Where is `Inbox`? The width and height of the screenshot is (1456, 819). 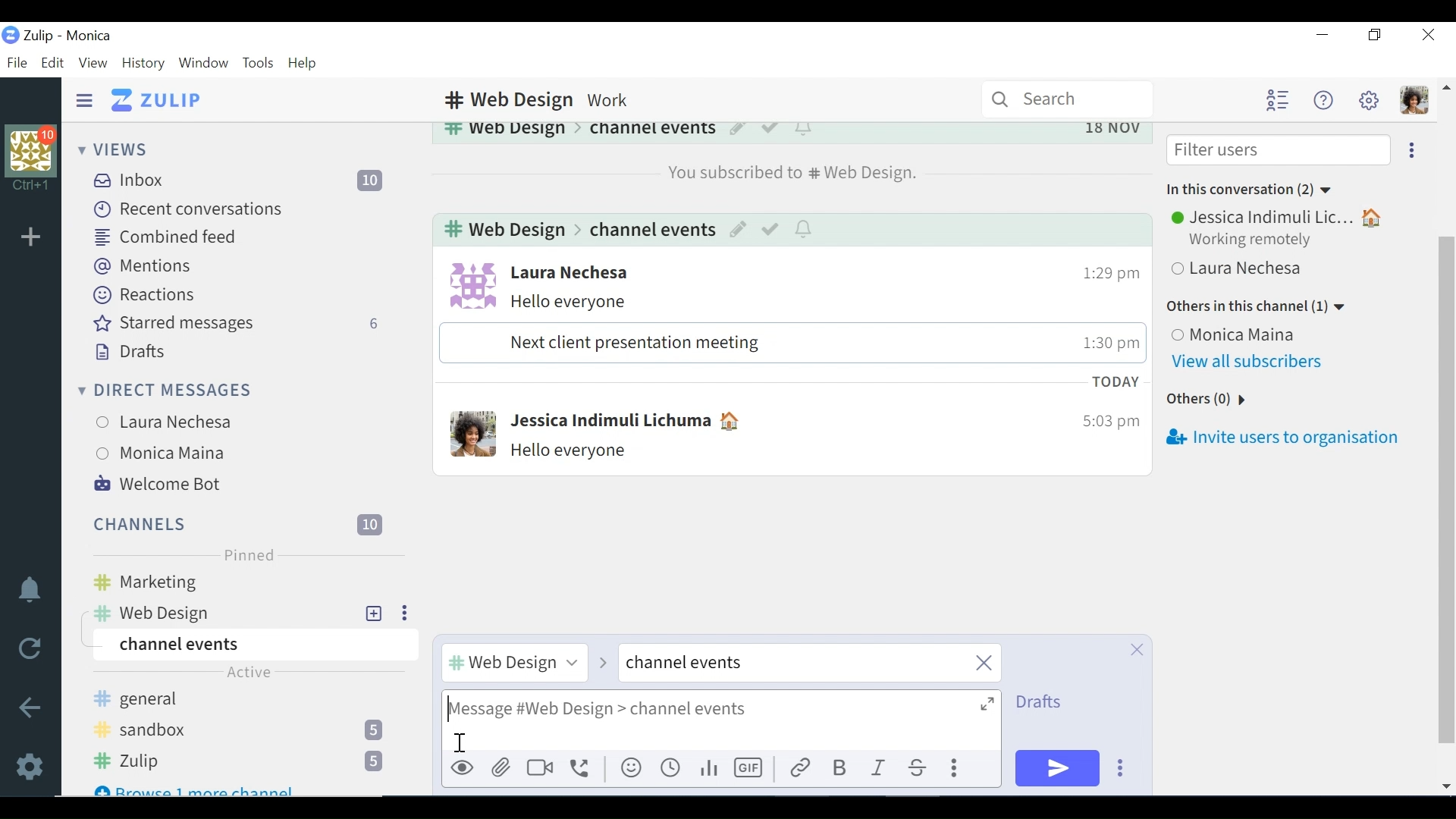 Inbox is located at coordinates (246, 180).